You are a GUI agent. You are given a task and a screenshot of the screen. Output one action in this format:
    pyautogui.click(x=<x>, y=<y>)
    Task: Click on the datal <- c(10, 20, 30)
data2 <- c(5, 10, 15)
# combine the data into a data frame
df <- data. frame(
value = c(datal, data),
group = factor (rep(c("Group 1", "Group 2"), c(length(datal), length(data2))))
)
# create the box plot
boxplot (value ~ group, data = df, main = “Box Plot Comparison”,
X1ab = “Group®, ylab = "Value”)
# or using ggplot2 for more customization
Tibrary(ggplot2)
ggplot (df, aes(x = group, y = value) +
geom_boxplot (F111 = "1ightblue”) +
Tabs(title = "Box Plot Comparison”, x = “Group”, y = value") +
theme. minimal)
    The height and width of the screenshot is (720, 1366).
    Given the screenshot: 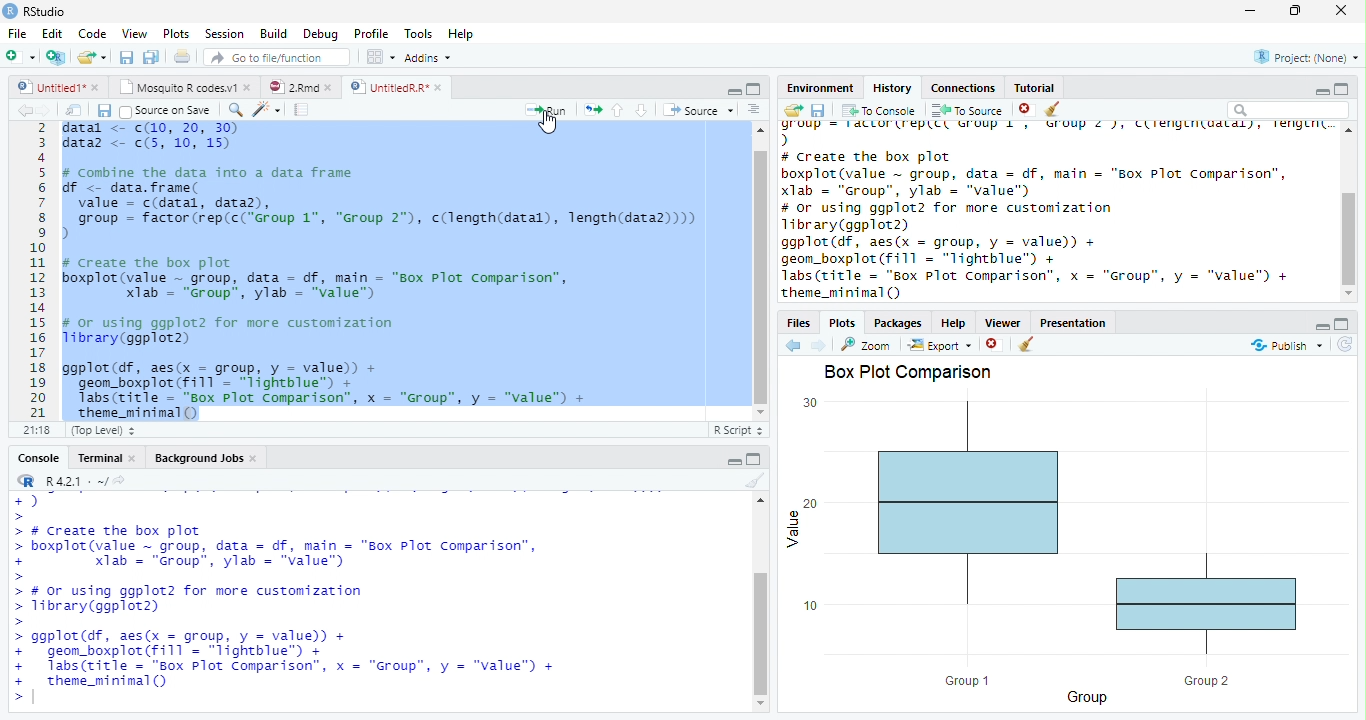 What is the action you would take?
    pyautogui.click(x=383, y=270)
    